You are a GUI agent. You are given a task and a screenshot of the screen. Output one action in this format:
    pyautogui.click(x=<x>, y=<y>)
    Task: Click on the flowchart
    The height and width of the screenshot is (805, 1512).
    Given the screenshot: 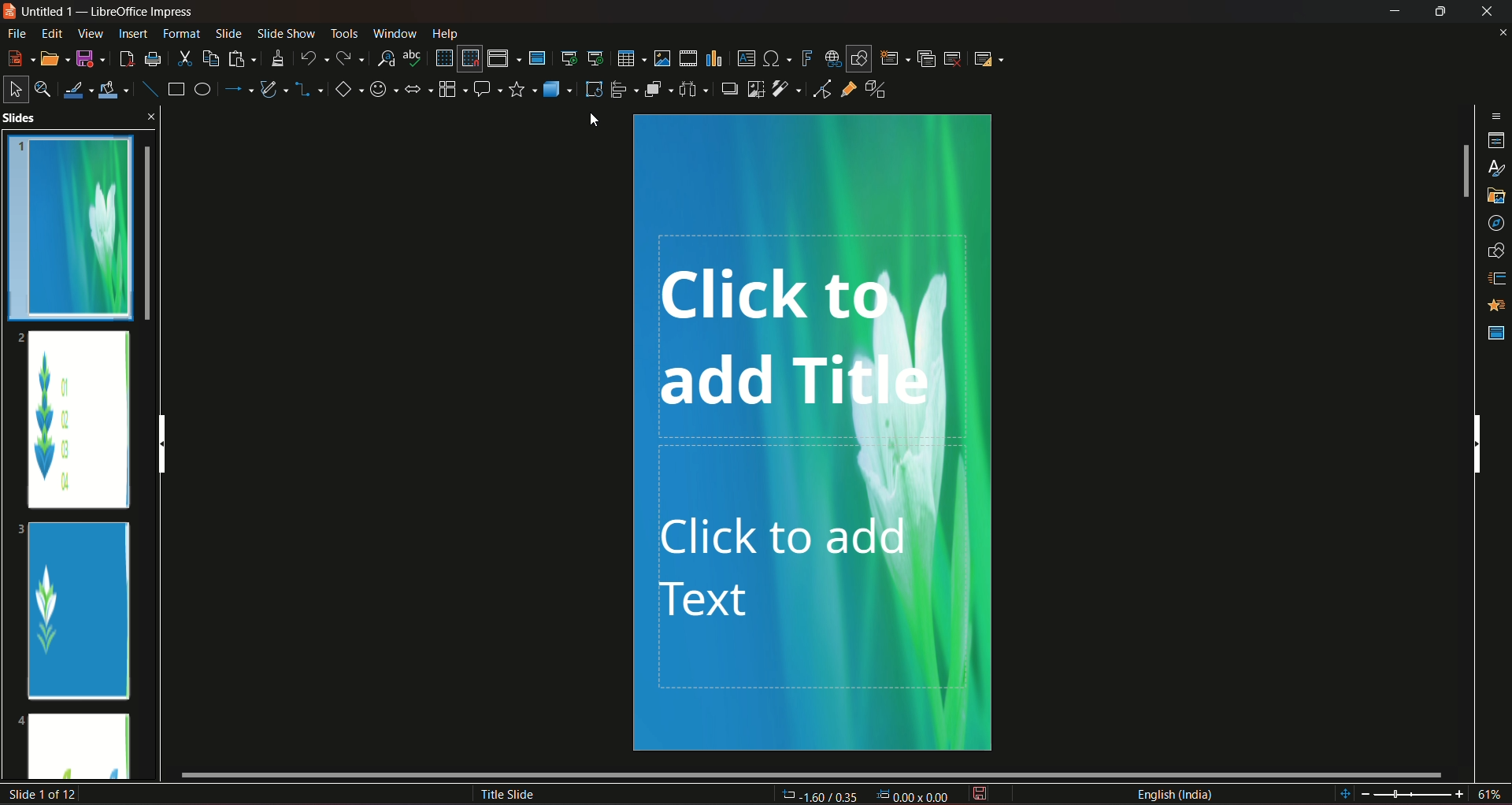 What is the action you would take?
    pyautogui.click(x=452, y=87)
    